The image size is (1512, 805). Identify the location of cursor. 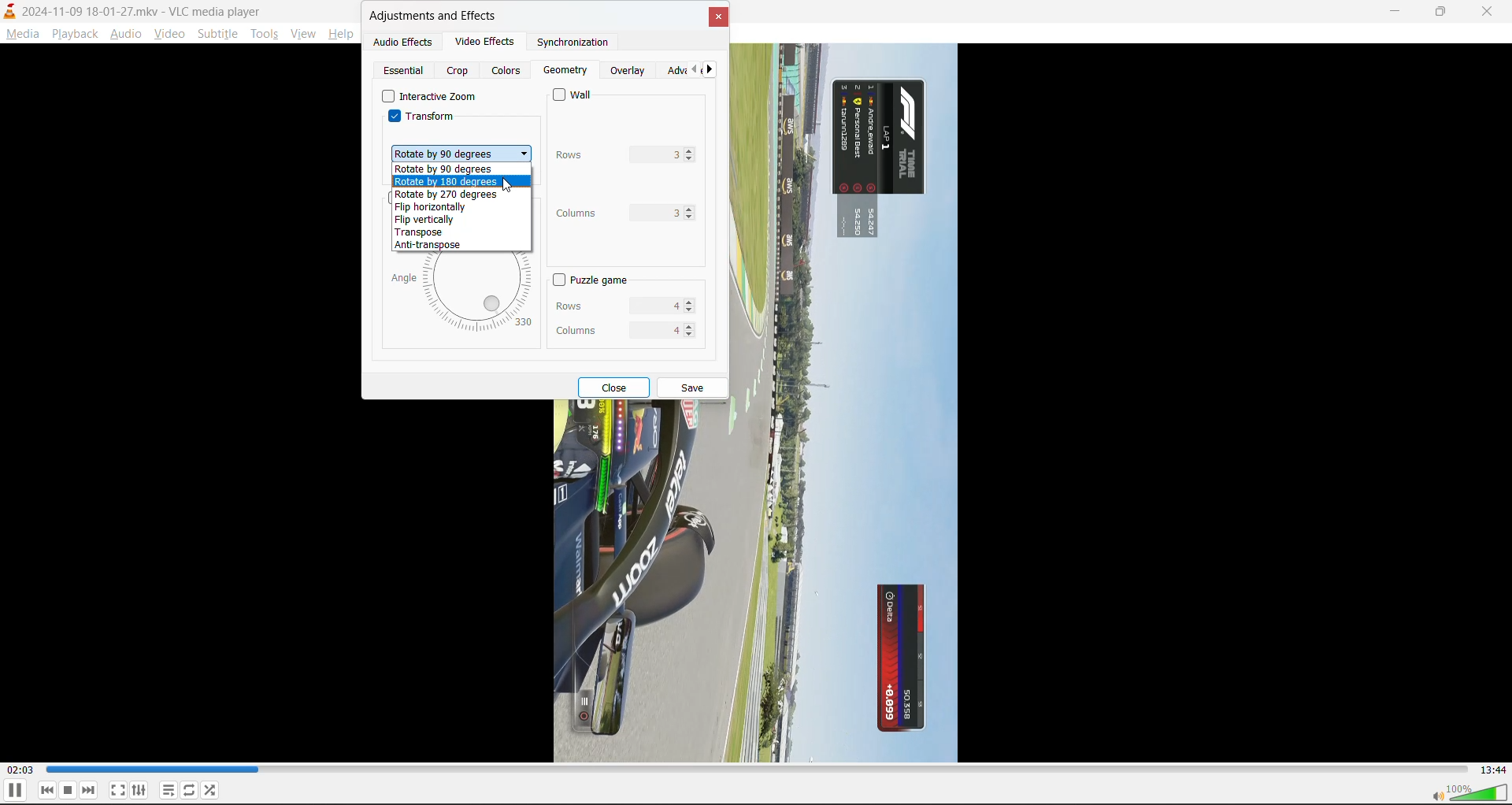
(509, 187).